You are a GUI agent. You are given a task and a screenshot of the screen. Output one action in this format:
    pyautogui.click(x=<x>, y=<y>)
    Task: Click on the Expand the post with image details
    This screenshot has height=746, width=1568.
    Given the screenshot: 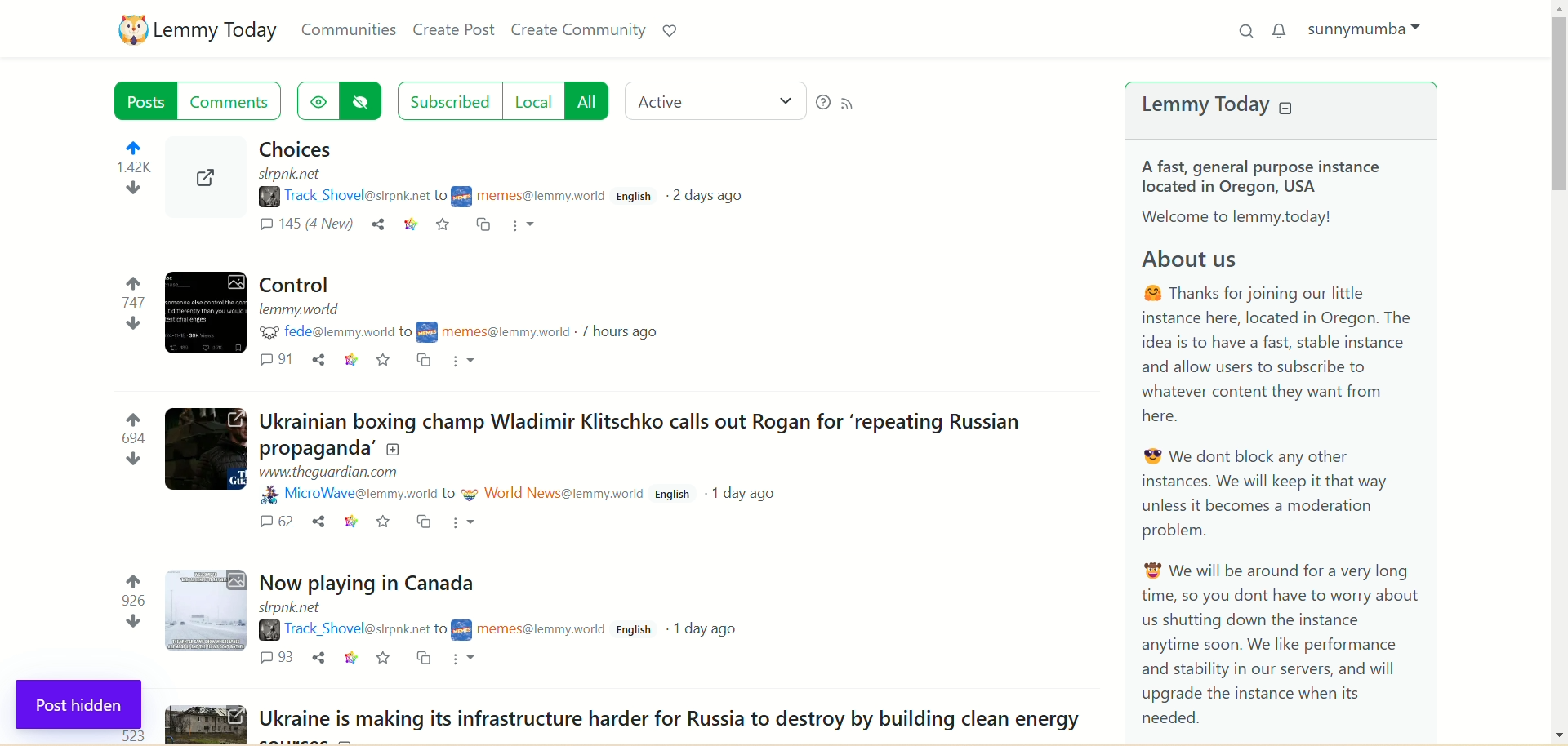 What is the action you would take?
    pyautogui.click(x=204, y=315)
    